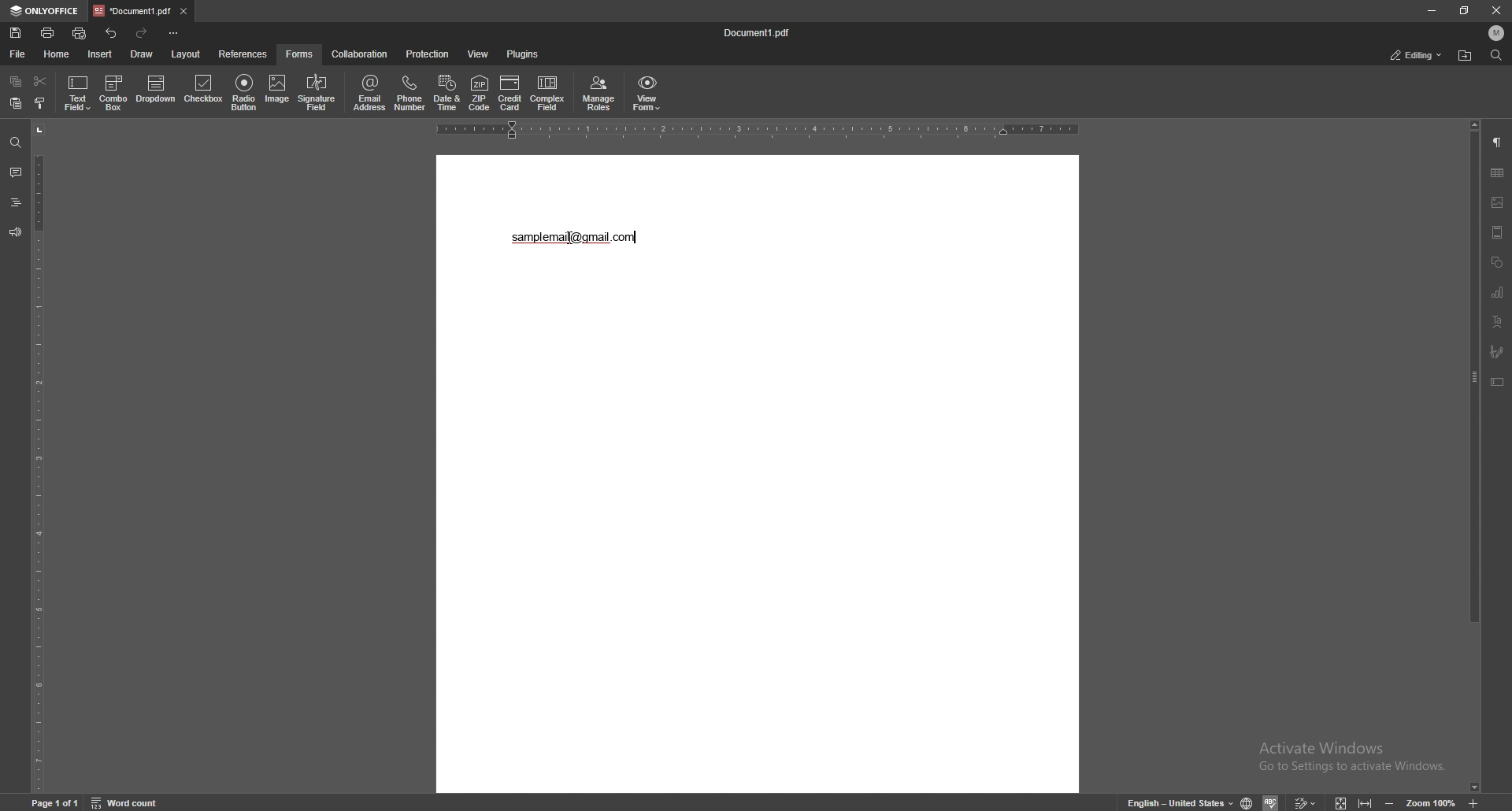  Describe the element at coordinates (1495, 10) in the screenshot. I see `close` at that location.